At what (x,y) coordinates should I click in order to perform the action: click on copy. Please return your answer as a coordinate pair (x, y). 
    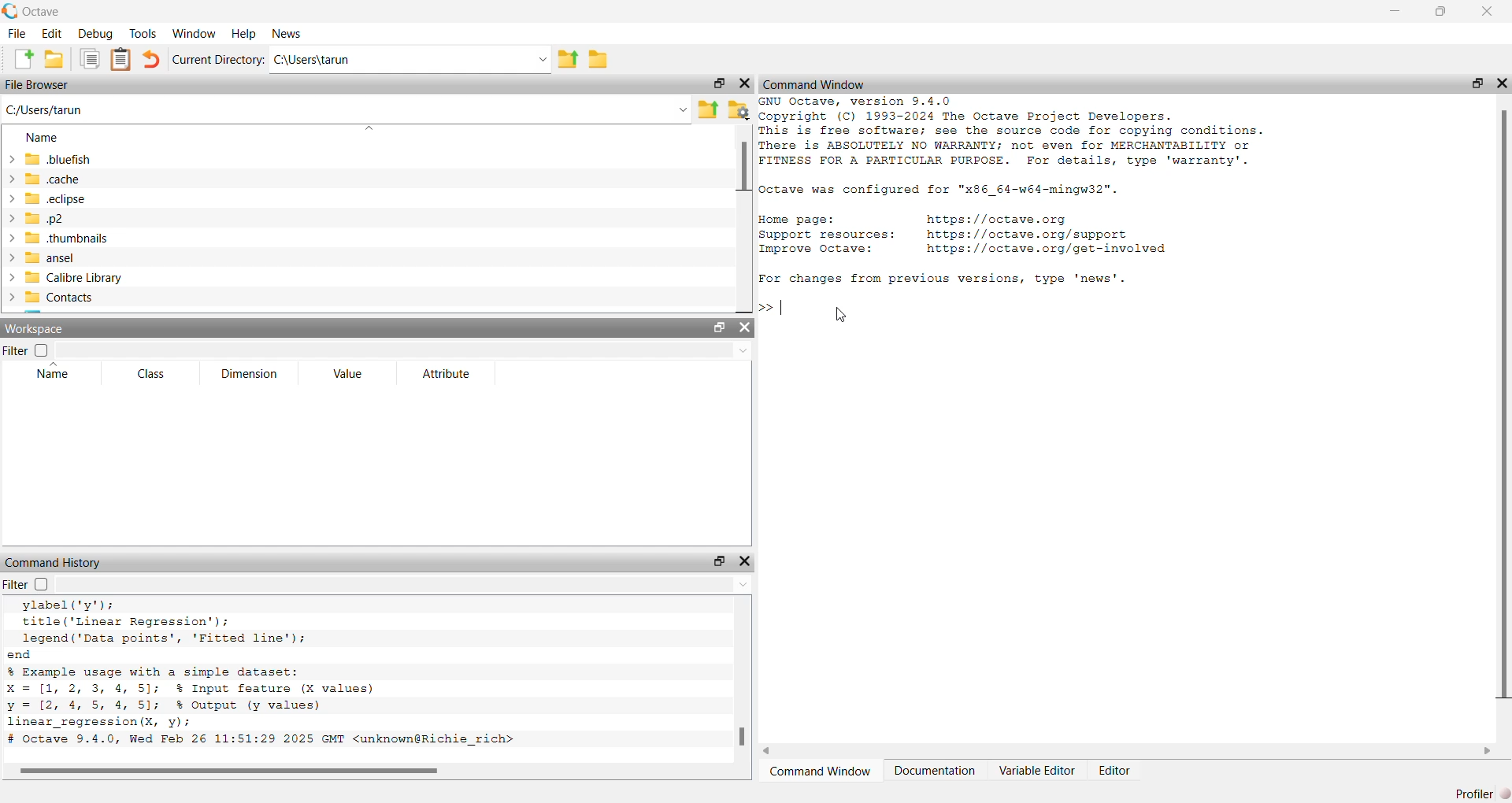
    Looking at the image, I should click on (90, 60).